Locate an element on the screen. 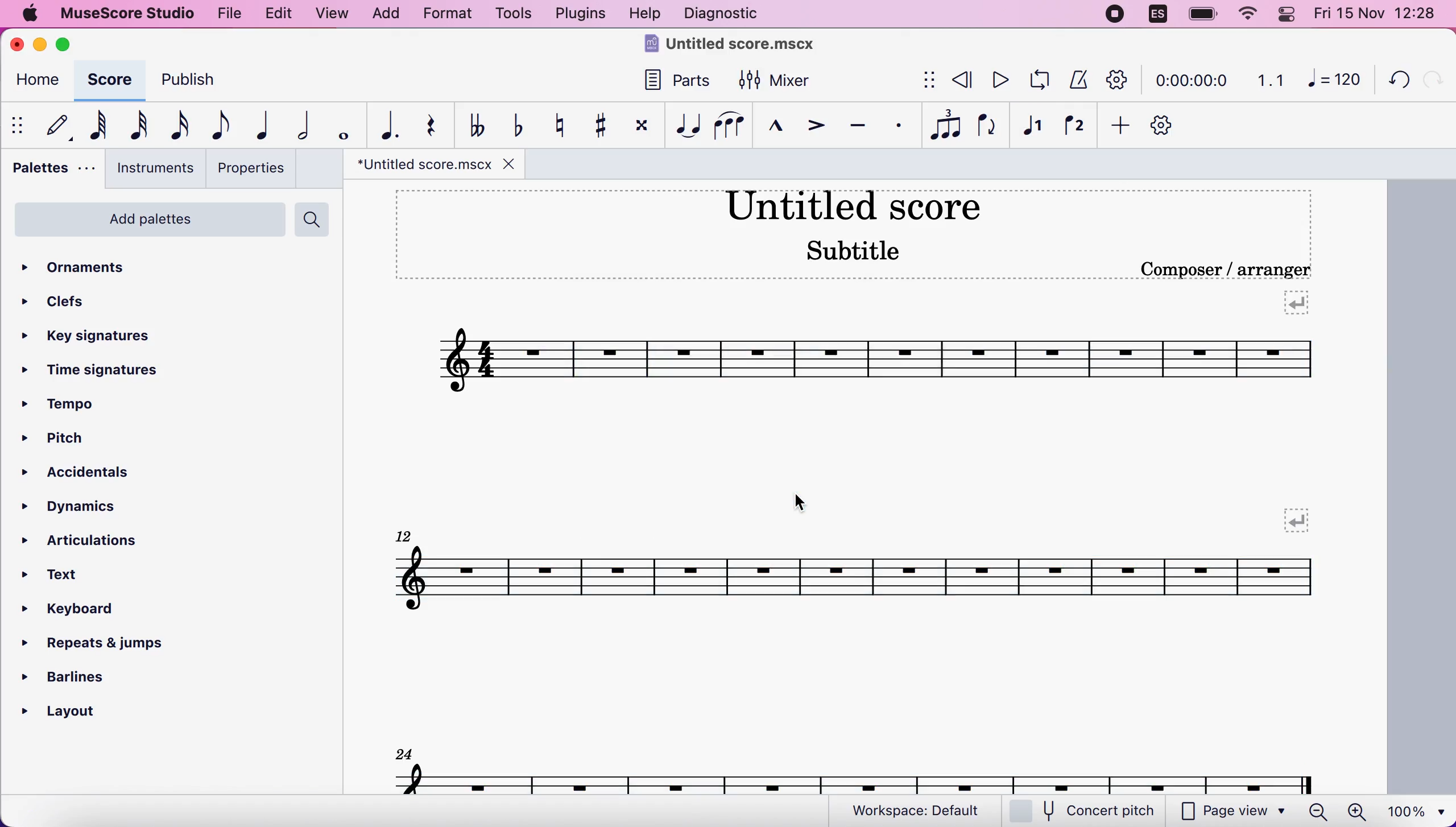 The width and height of the screenshot is (1456, 827). review is located at coordinates (963, 80).